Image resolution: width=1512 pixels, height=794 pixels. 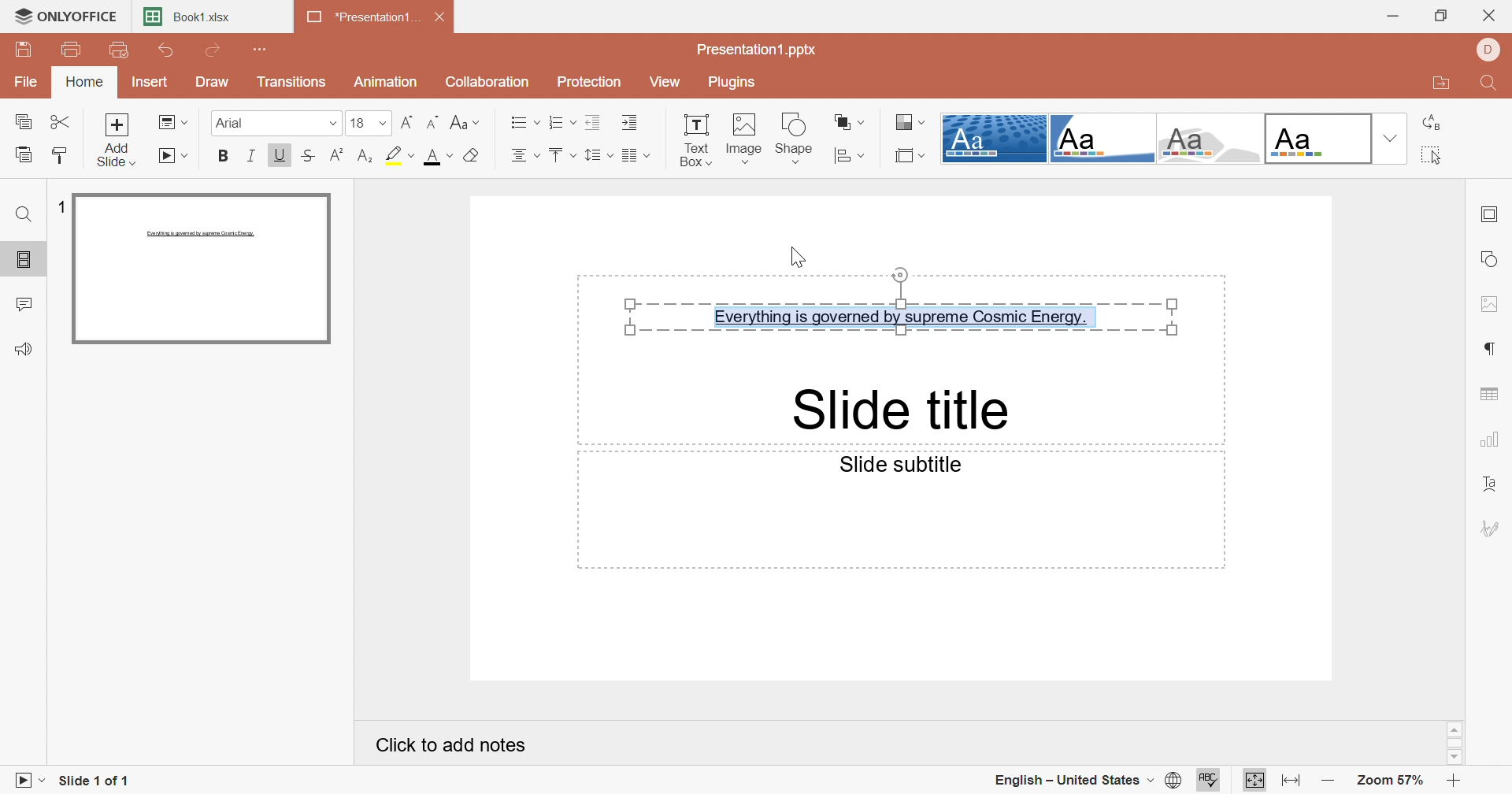 I want to click on Copy, so click(x=22, y=120).